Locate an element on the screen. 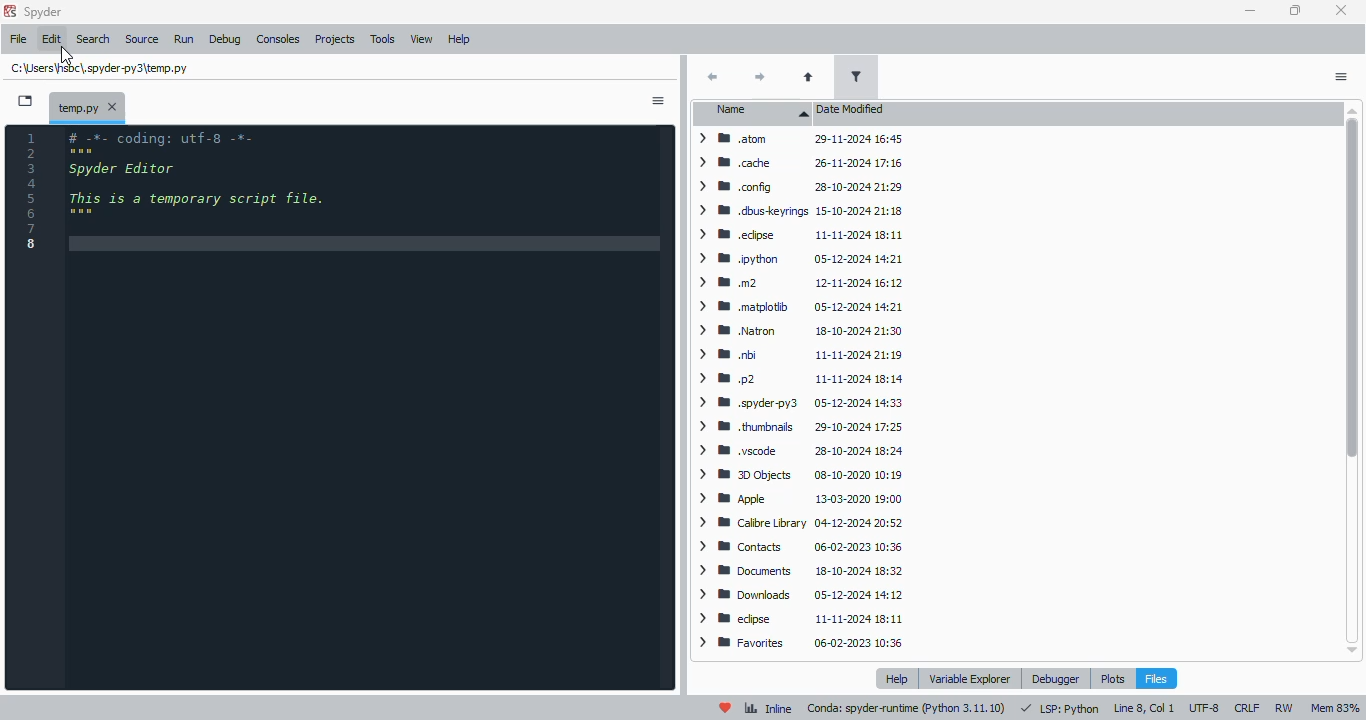  run is located at coordinates (182, 39).